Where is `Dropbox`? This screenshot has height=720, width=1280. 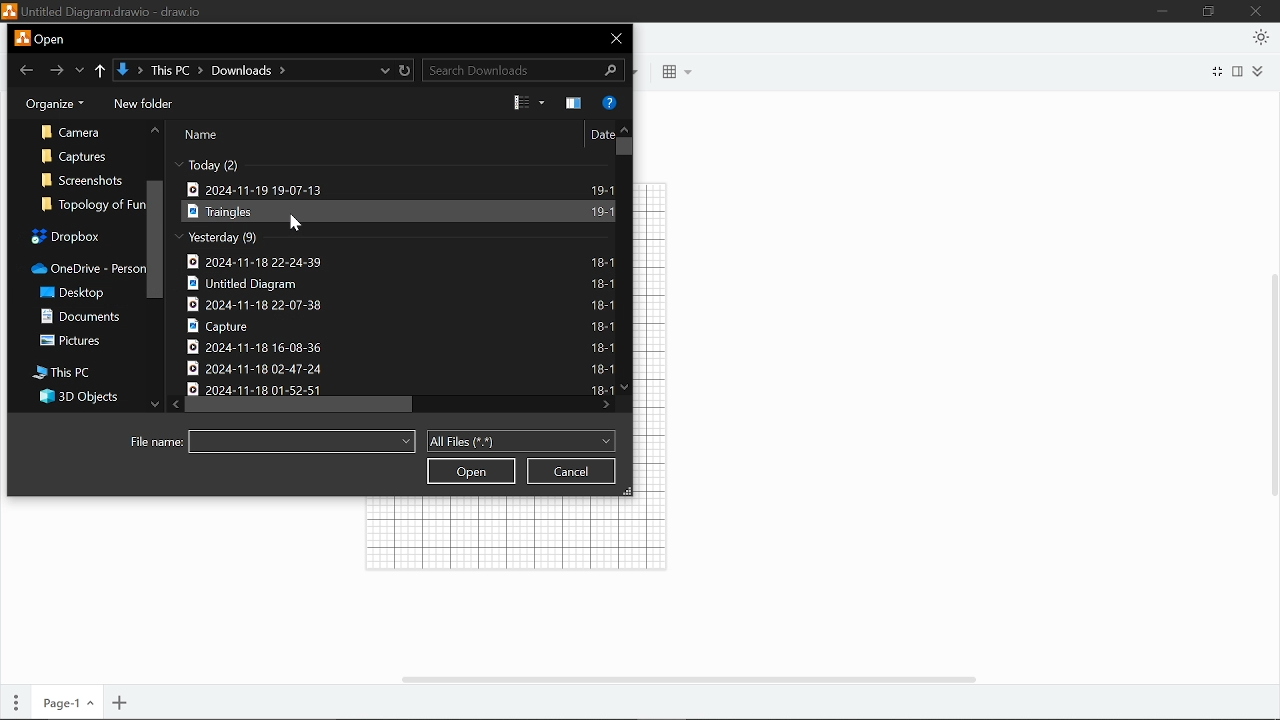
Dropbox is located at coordinates (78, 236).